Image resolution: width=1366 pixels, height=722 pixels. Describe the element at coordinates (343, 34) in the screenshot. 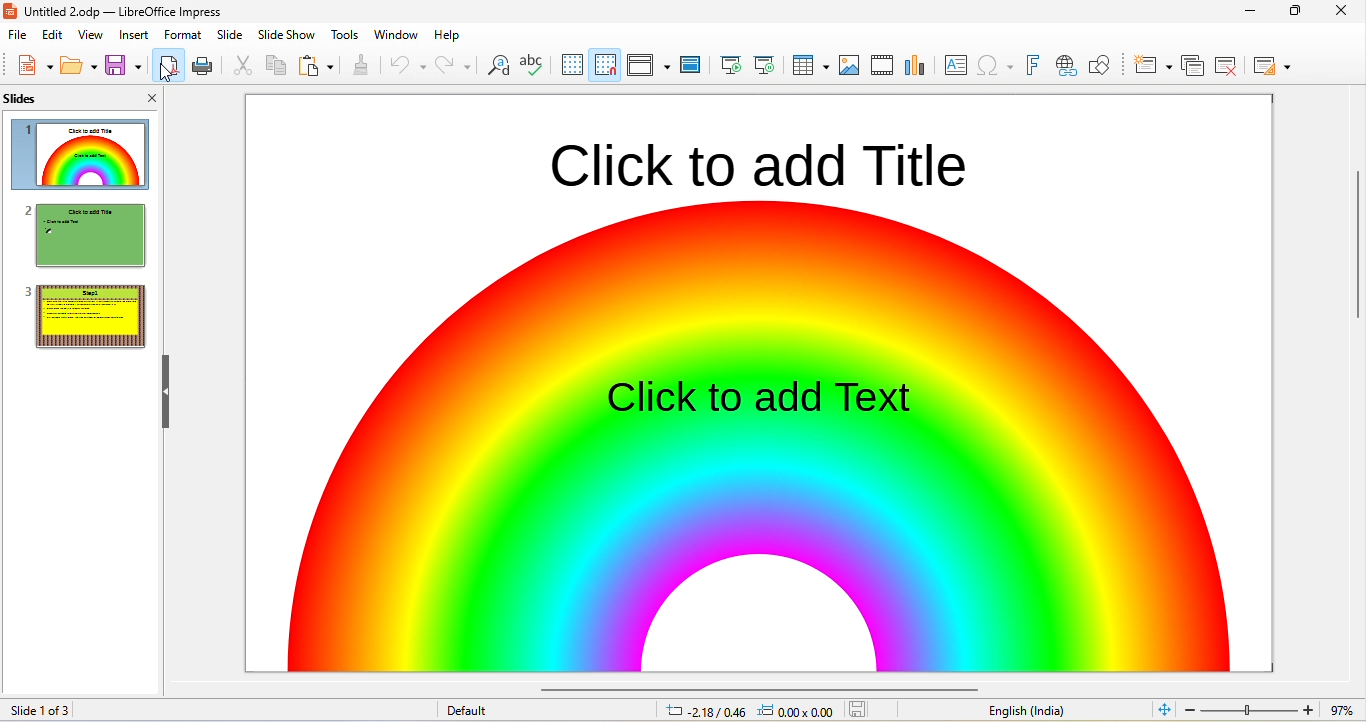

I see `tools` at that location.